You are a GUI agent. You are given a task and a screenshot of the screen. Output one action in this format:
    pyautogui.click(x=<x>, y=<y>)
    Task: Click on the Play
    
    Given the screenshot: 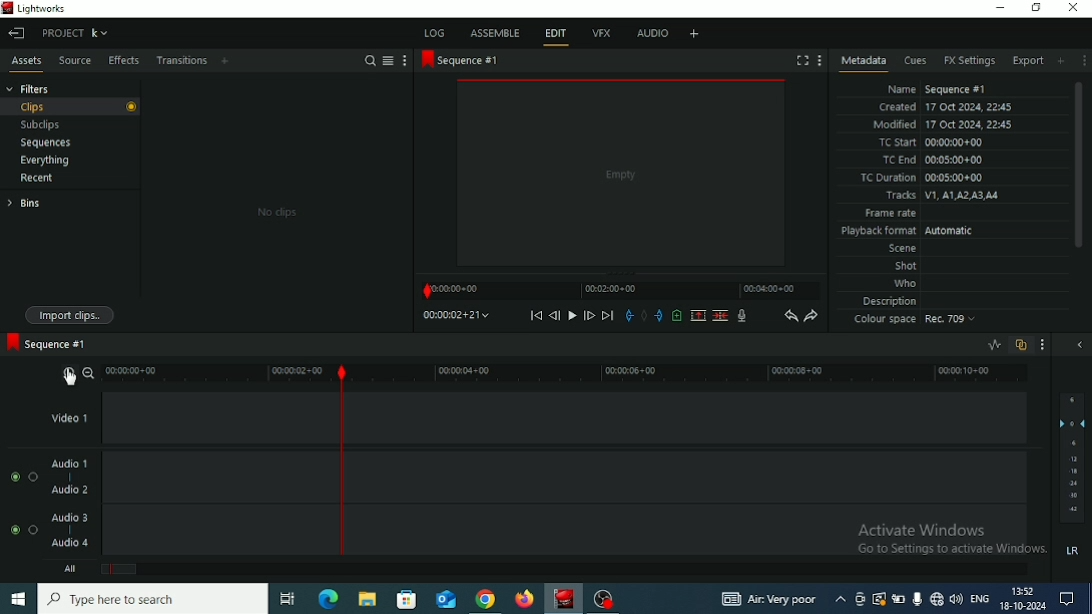 What is the action you would take?
    pyautogui.click(x=571, y=315)
    